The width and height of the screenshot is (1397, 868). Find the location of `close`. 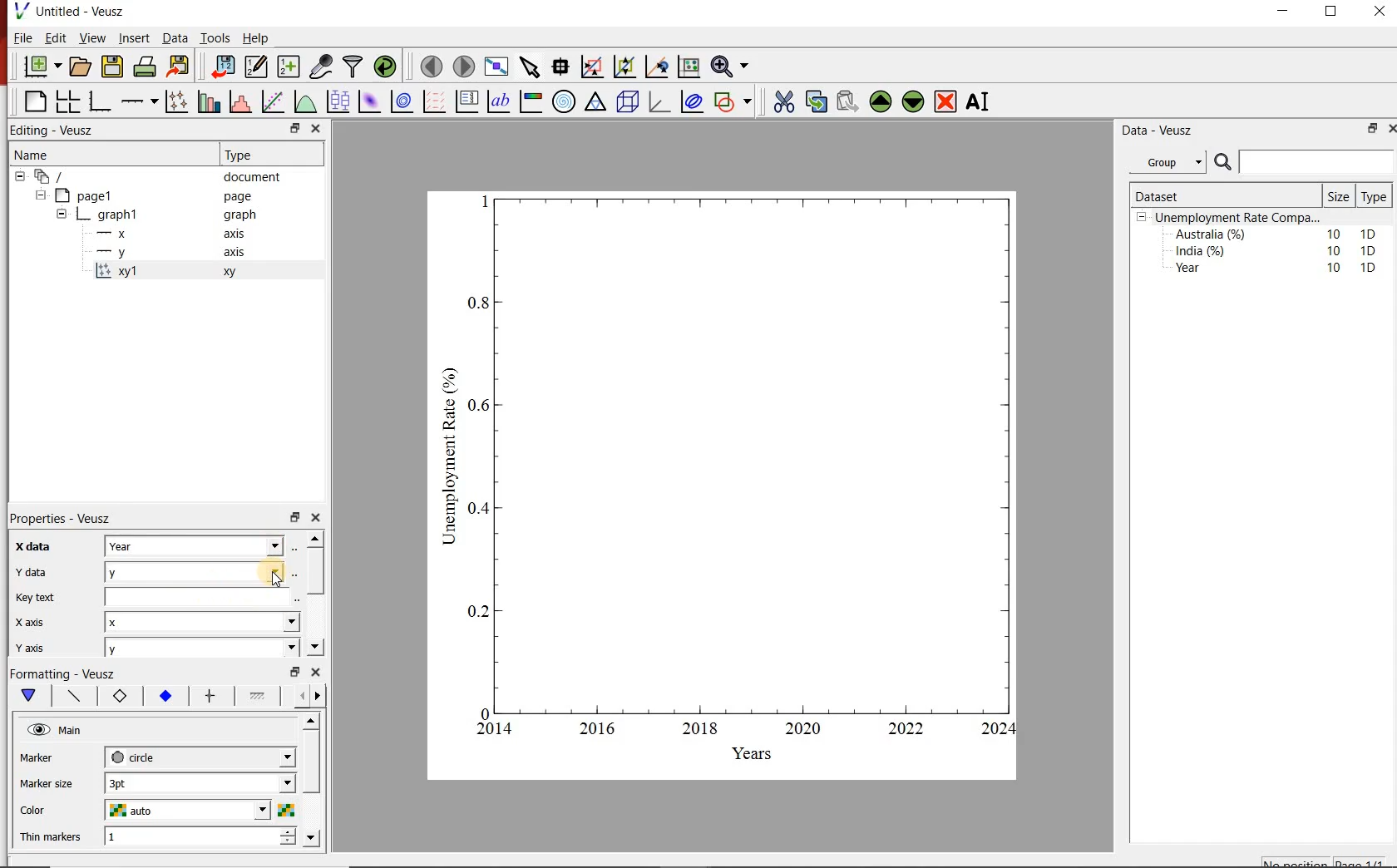

close is located at coordinates (1392, 127).